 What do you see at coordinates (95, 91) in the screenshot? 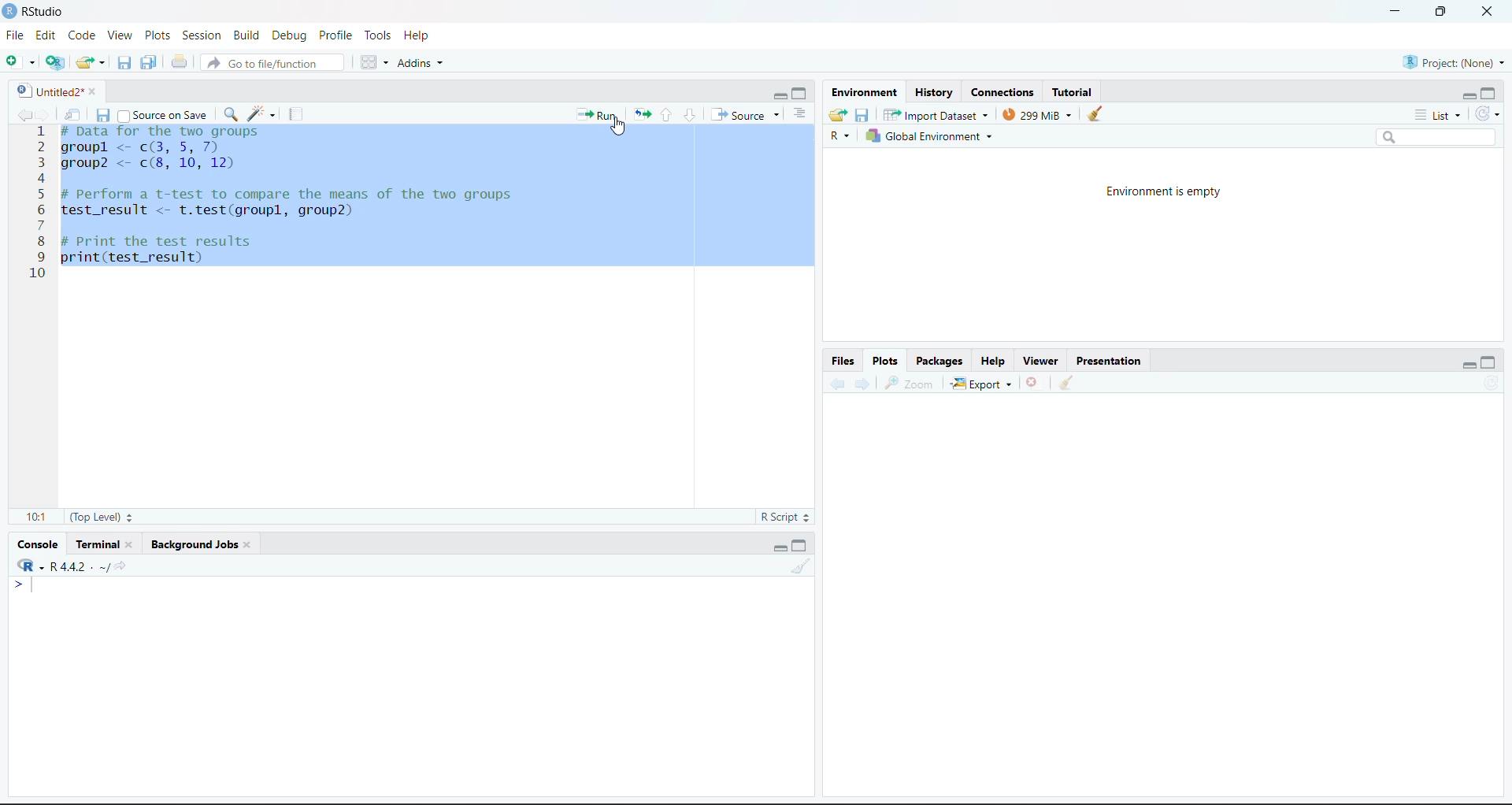
I see `close` at bounding box center [95, 91].